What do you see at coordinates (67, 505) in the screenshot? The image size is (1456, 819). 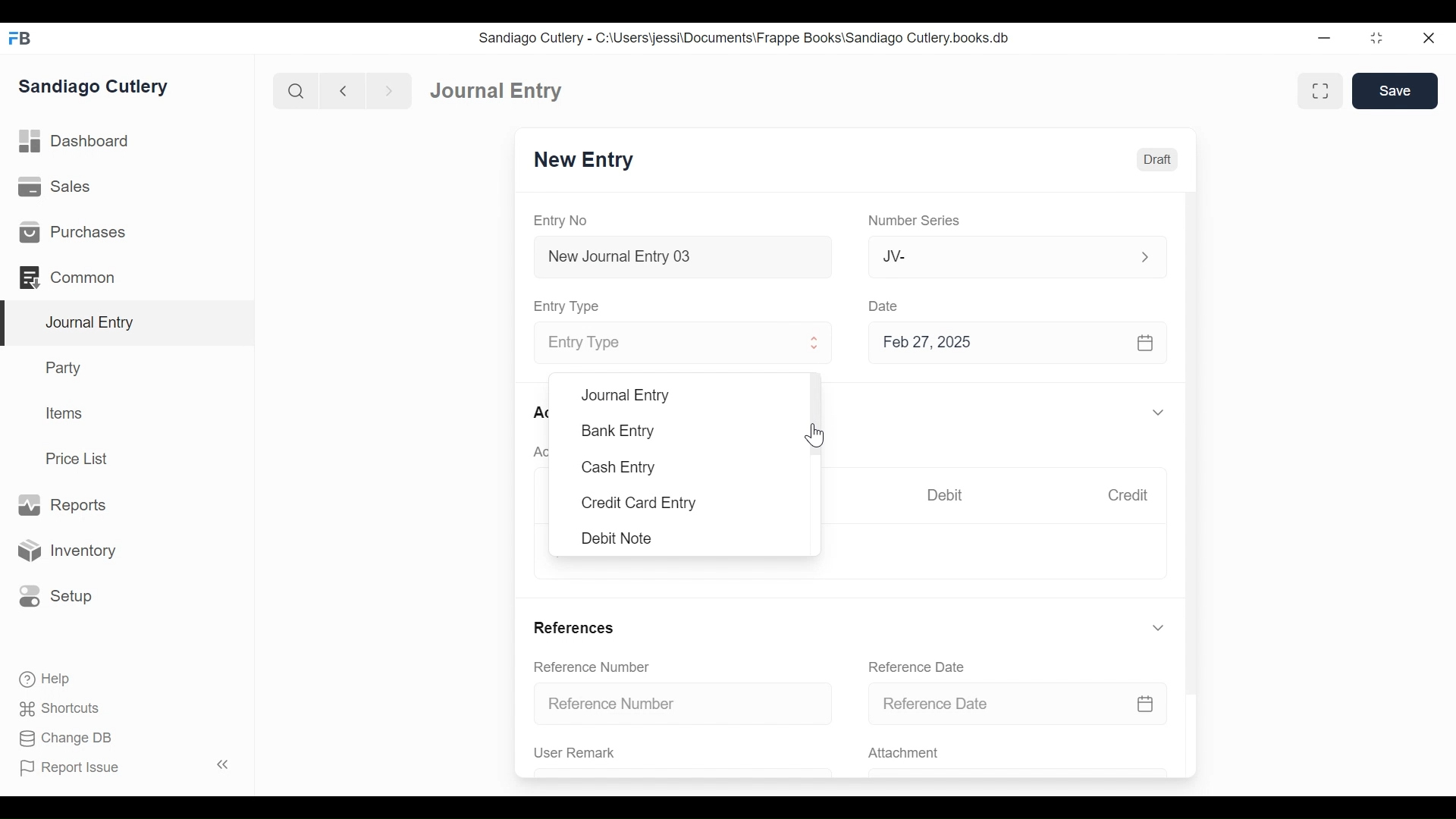 I see `Reports` at bounding box center [67, 505].